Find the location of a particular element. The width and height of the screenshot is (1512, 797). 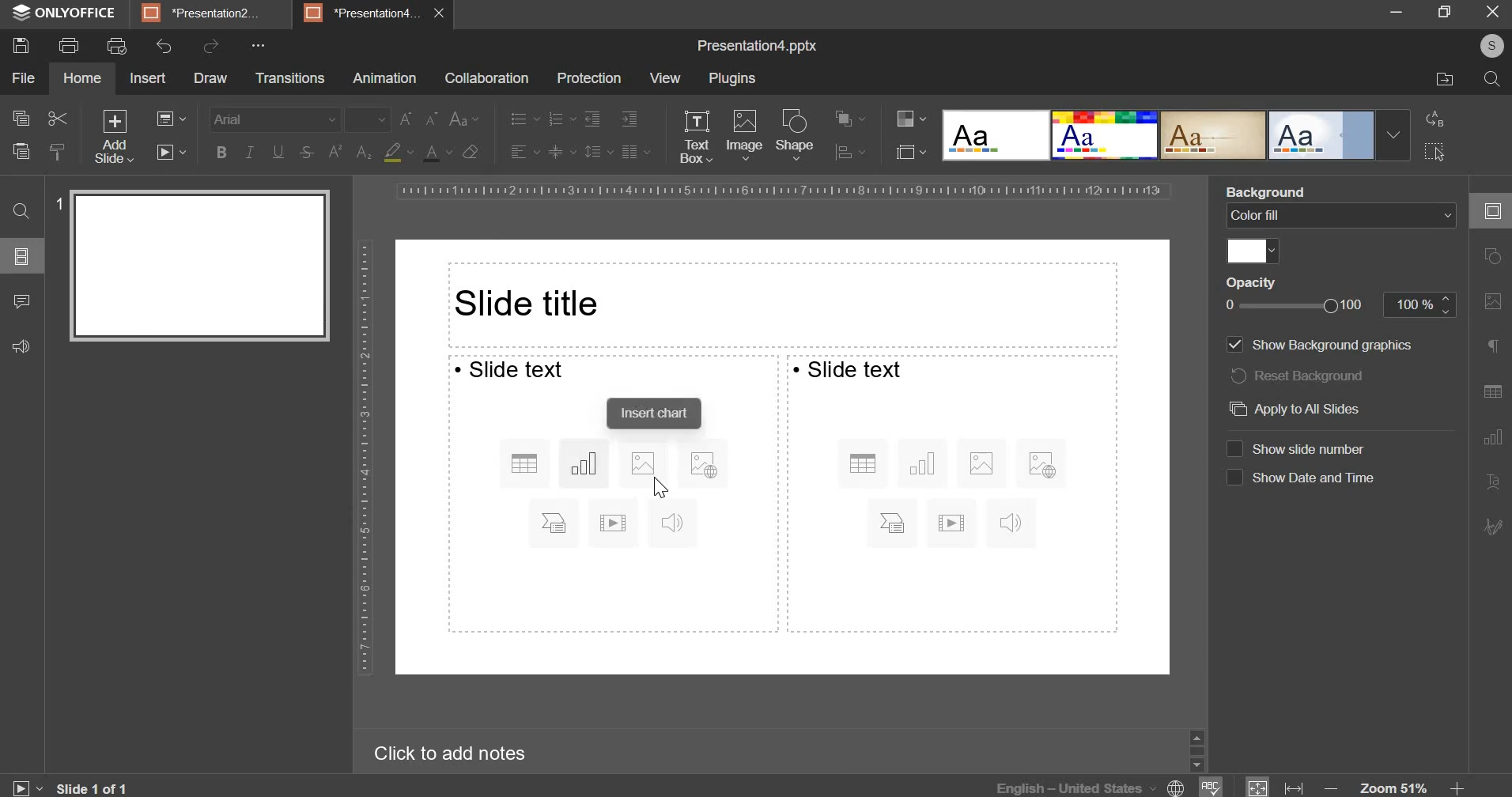

fill color is located at coordinates (396, 153).